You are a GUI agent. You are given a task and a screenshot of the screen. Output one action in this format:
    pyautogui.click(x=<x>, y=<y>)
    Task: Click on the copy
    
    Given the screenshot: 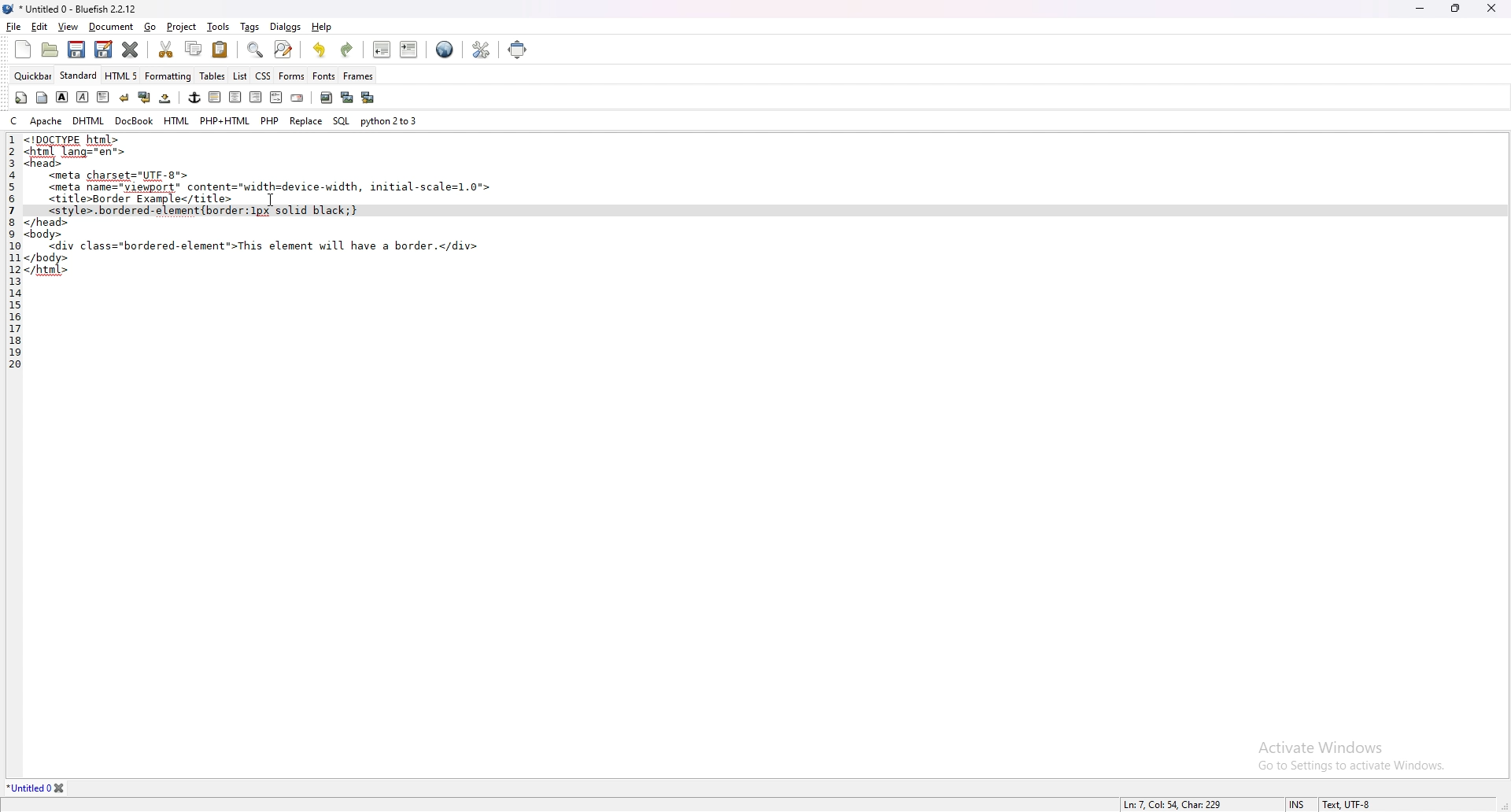 What is the action you would take?
    pyautogui.click(x=194, y=49)
    